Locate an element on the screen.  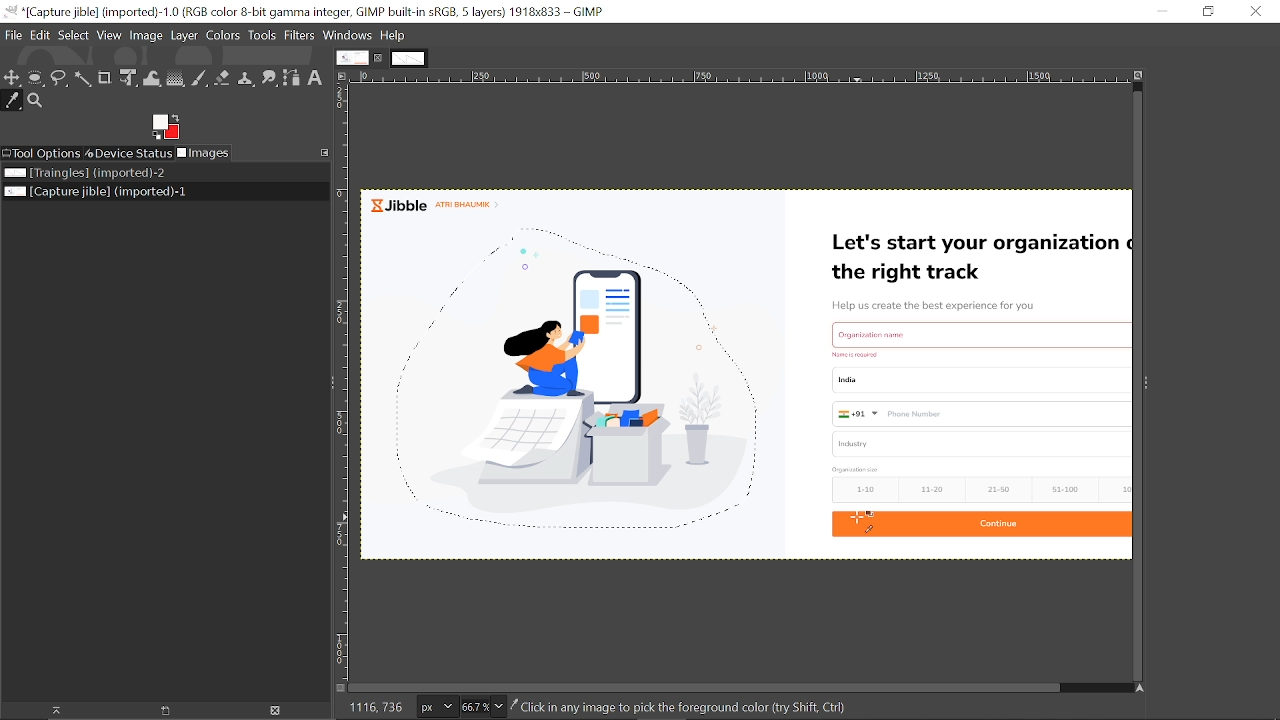
Colors is located at coordinates (223, 36).